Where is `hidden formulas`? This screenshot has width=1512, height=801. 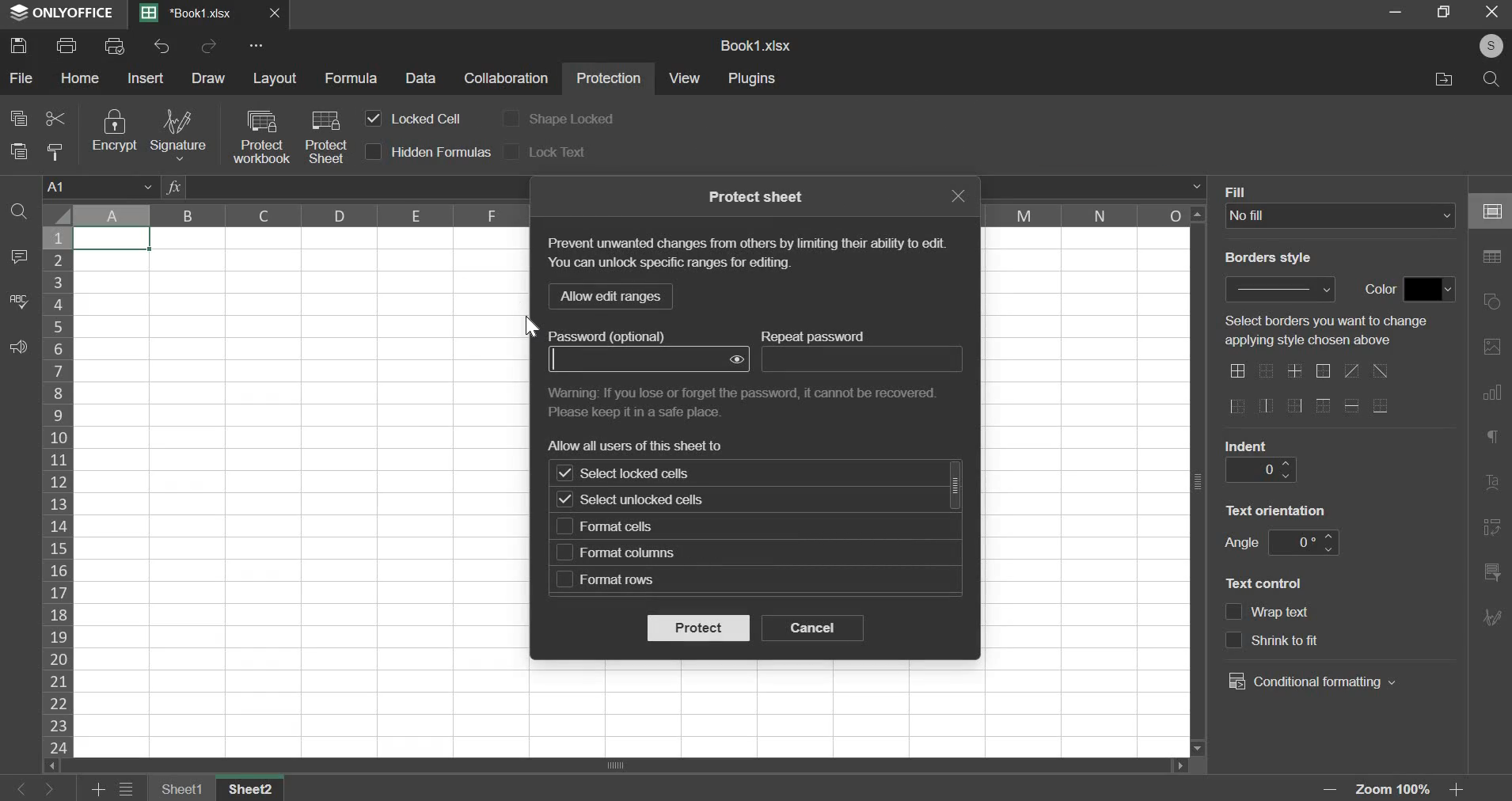 hidden formulas is located at coordinates (442, 152).